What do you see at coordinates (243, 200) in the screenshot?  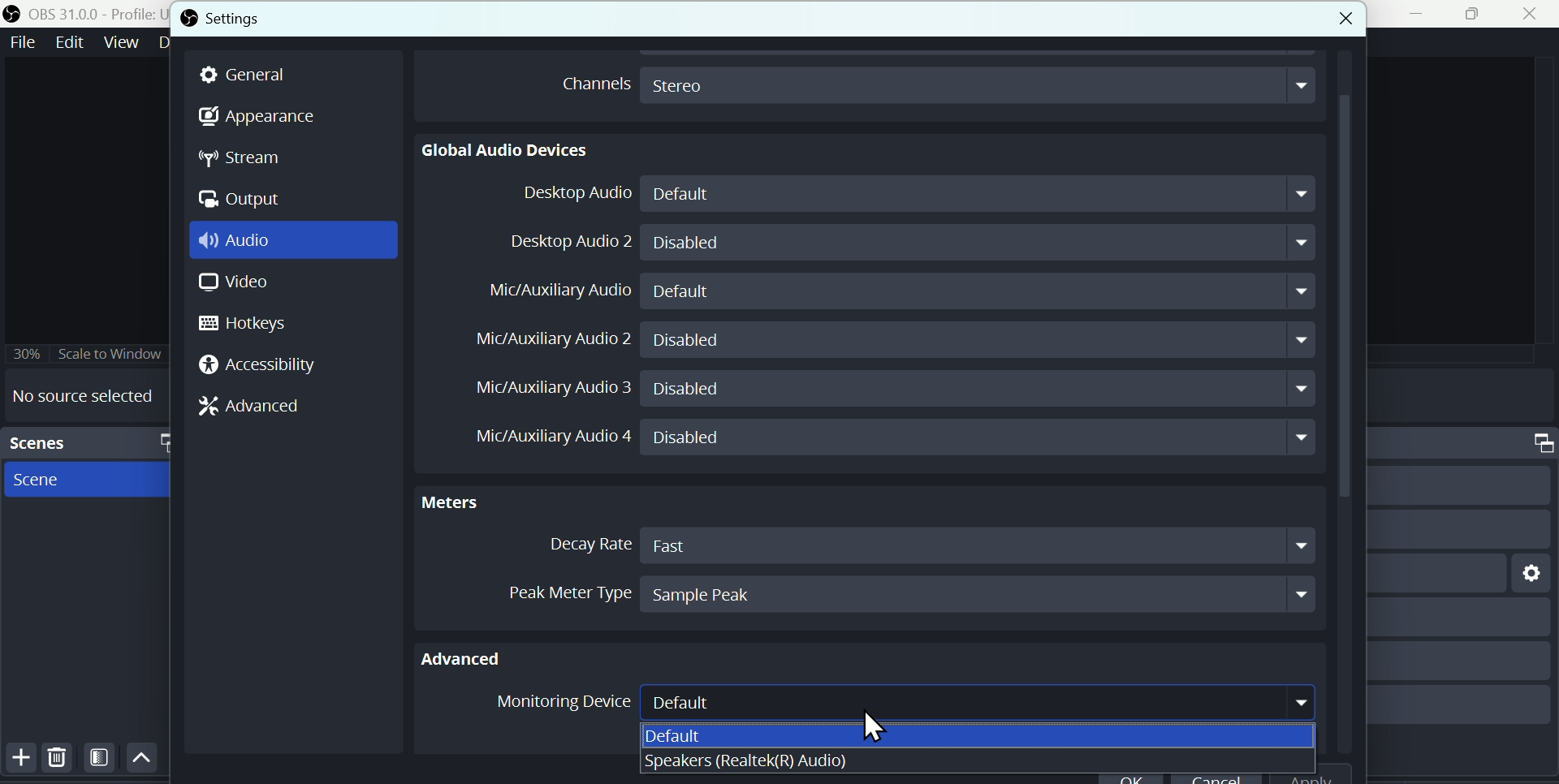 I see `Output` at bounding box center [243, 200].